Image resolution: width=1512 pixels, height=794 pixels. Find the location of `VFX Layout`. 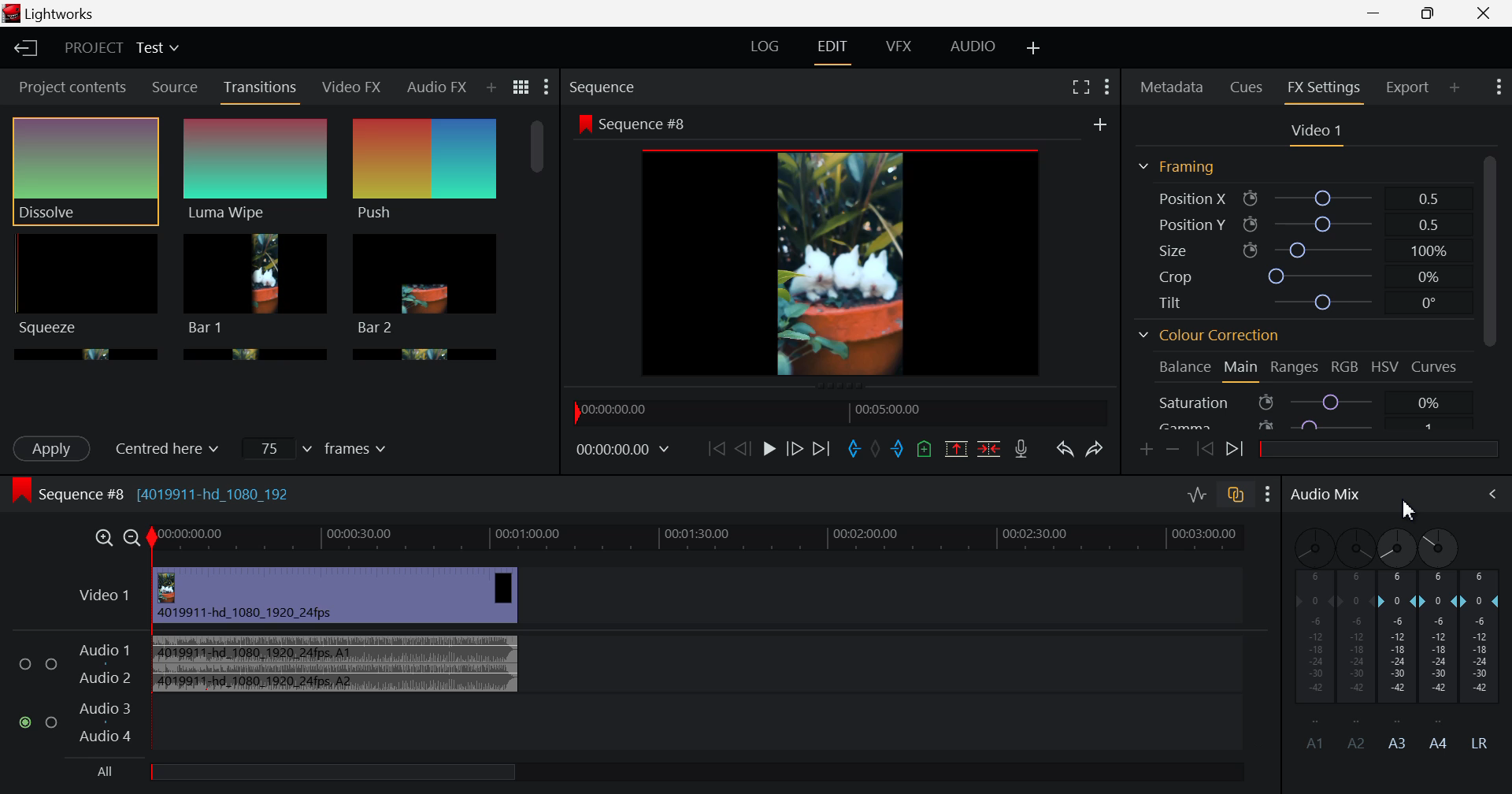

VFX Layout is located at coordinates (899, 50).